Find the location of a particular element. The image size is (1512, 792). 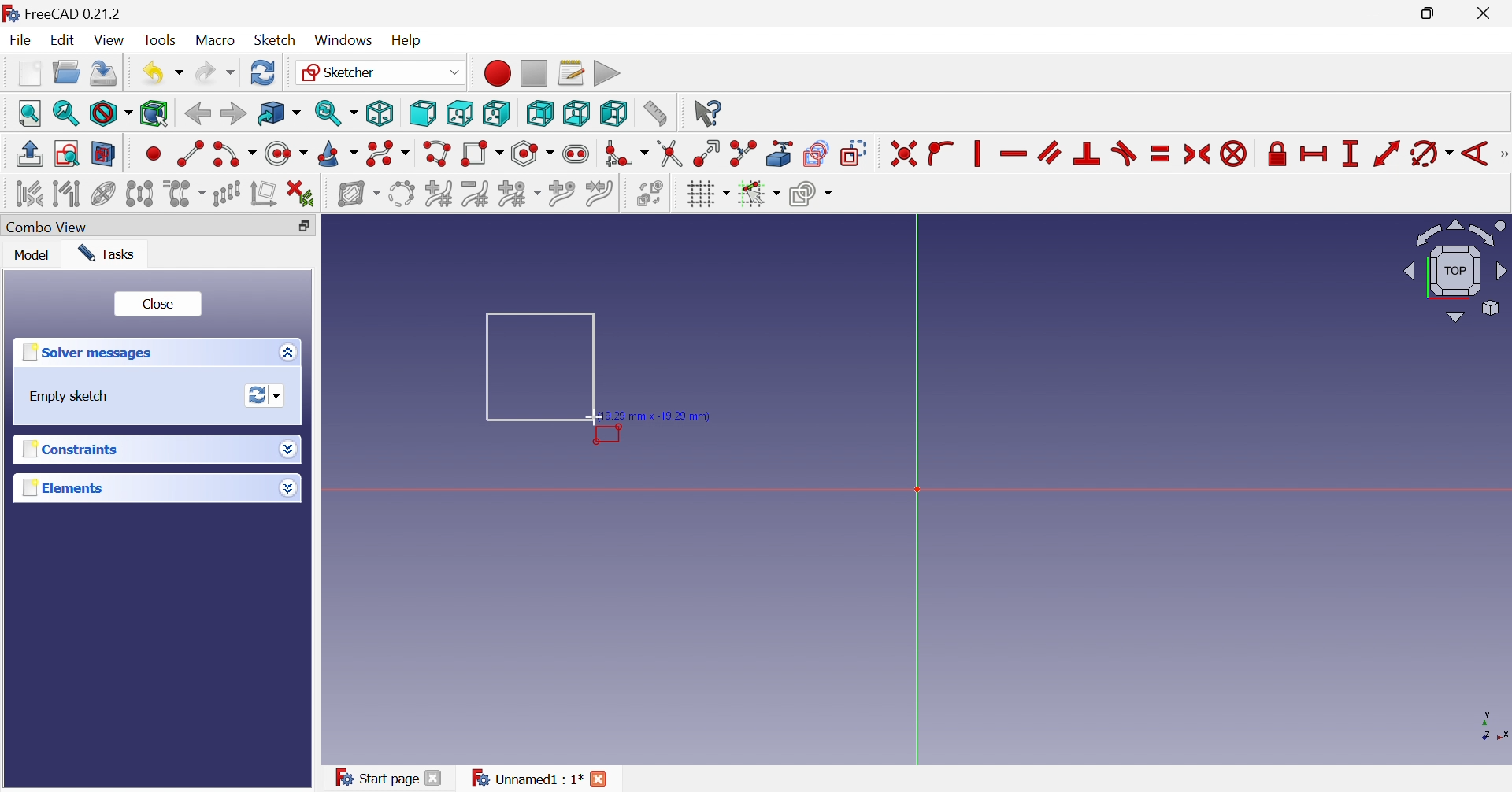

Configure rendering is located at coordinates (811, 196).